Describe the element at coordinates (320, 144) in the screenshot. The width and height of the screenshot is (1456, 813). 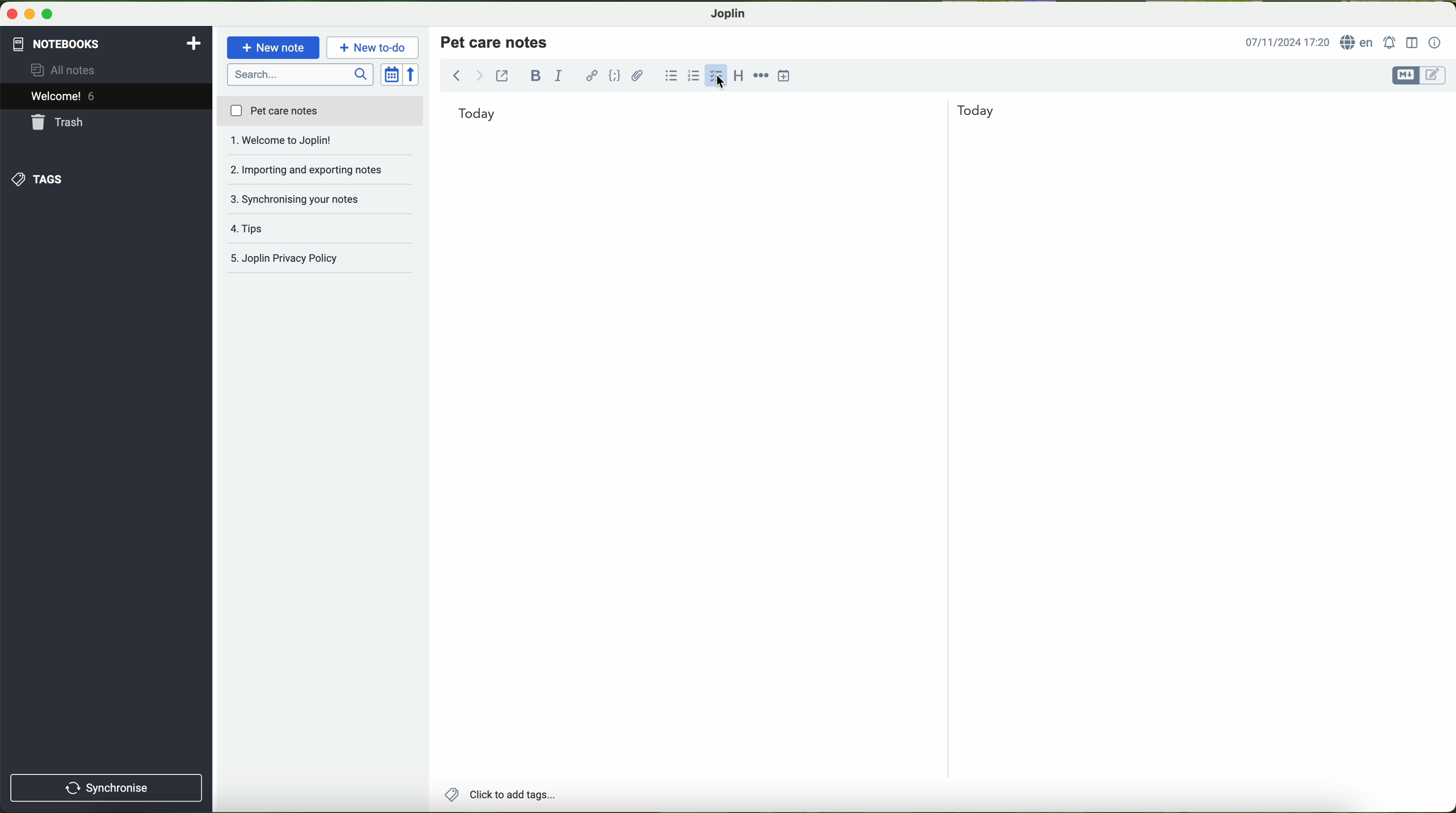
I see `importing and exporting notes` at that location.